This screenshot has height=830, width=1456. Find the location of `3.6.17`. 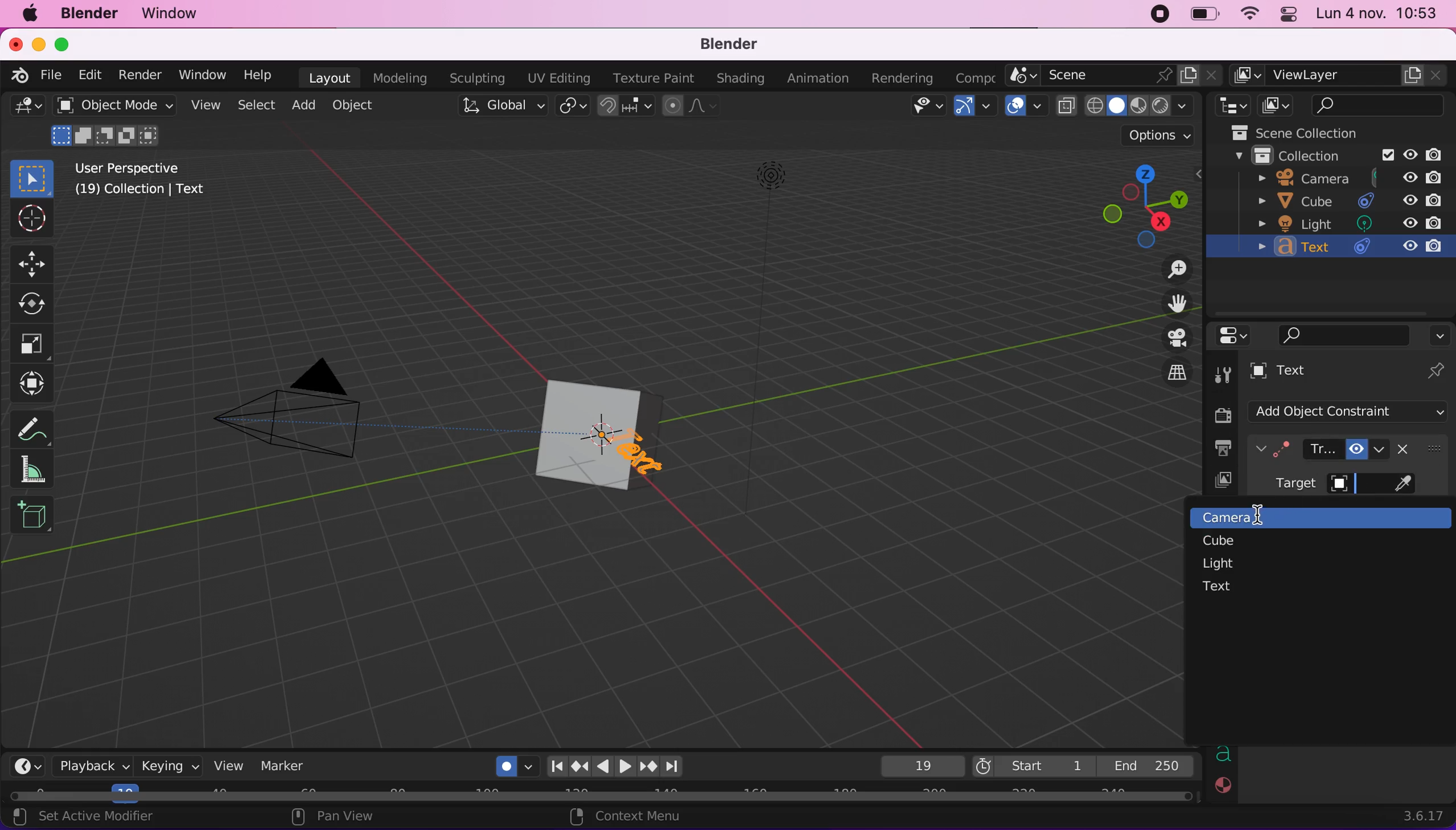

3.6.17 is located at coordinates (1423, 813).